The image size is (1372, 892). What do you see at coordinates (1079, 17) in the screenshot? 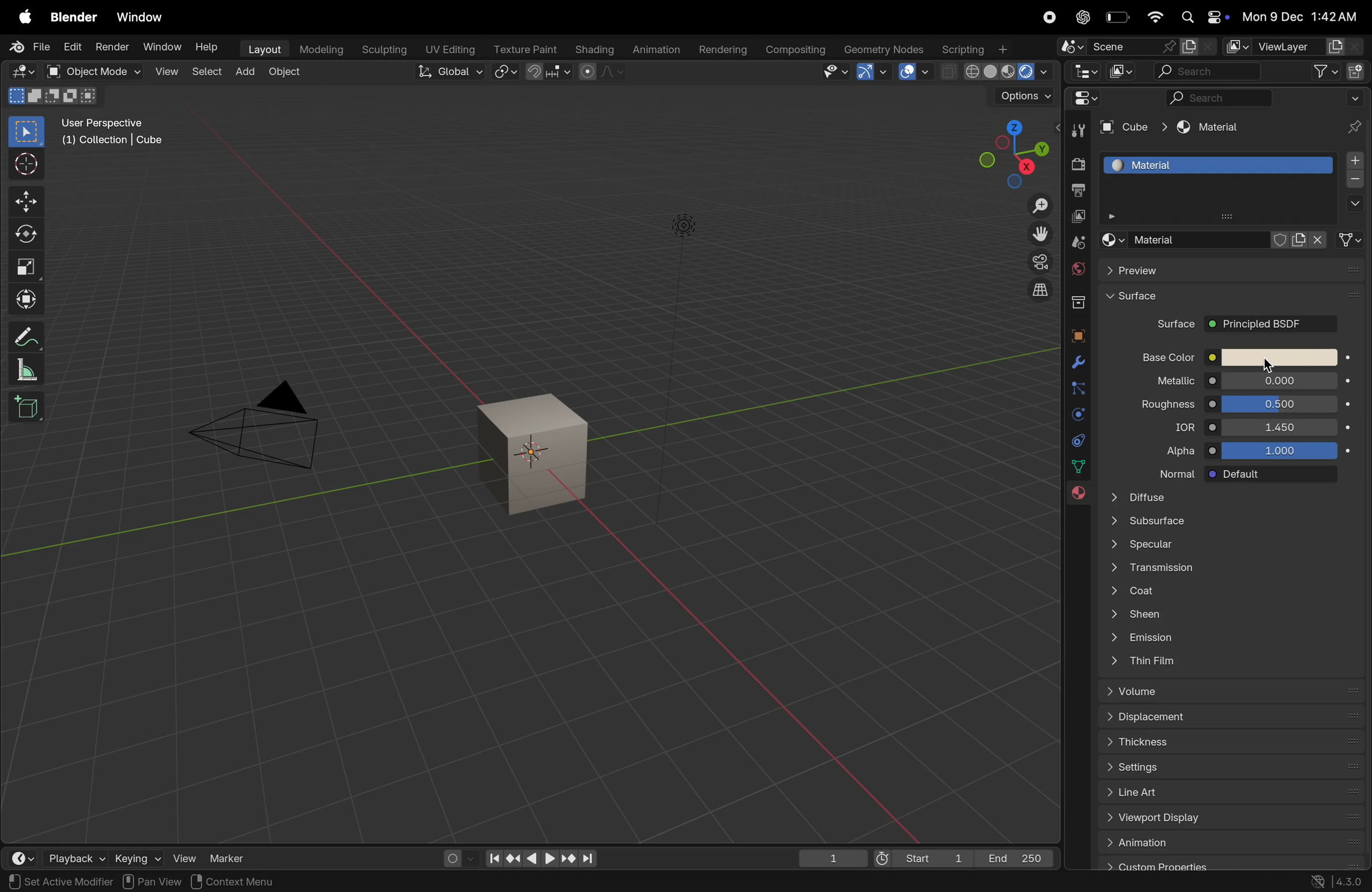
I see `chatgpt` at bounding box center [1079, 17].